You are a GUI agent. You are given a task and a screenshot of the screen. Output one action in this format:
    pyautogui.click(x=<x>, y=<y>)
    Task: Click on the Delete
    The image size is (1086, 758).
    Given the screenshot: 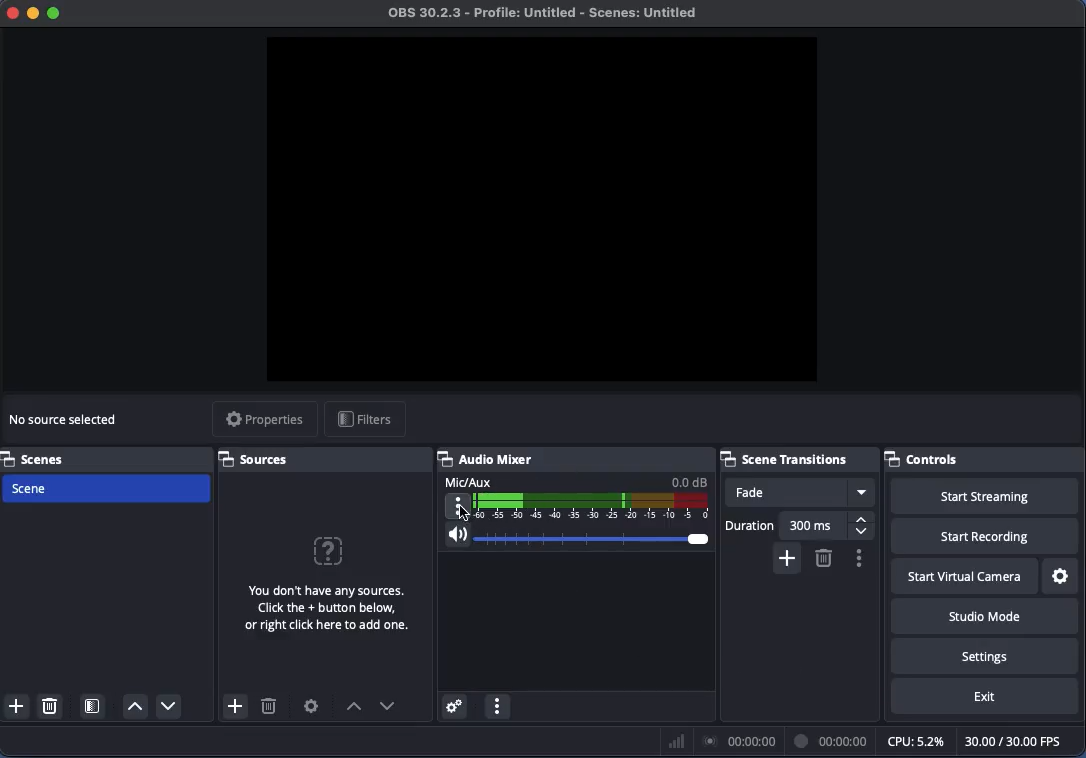 What is the action you would take?
    pyautogui.click(x=823, y=558)
    